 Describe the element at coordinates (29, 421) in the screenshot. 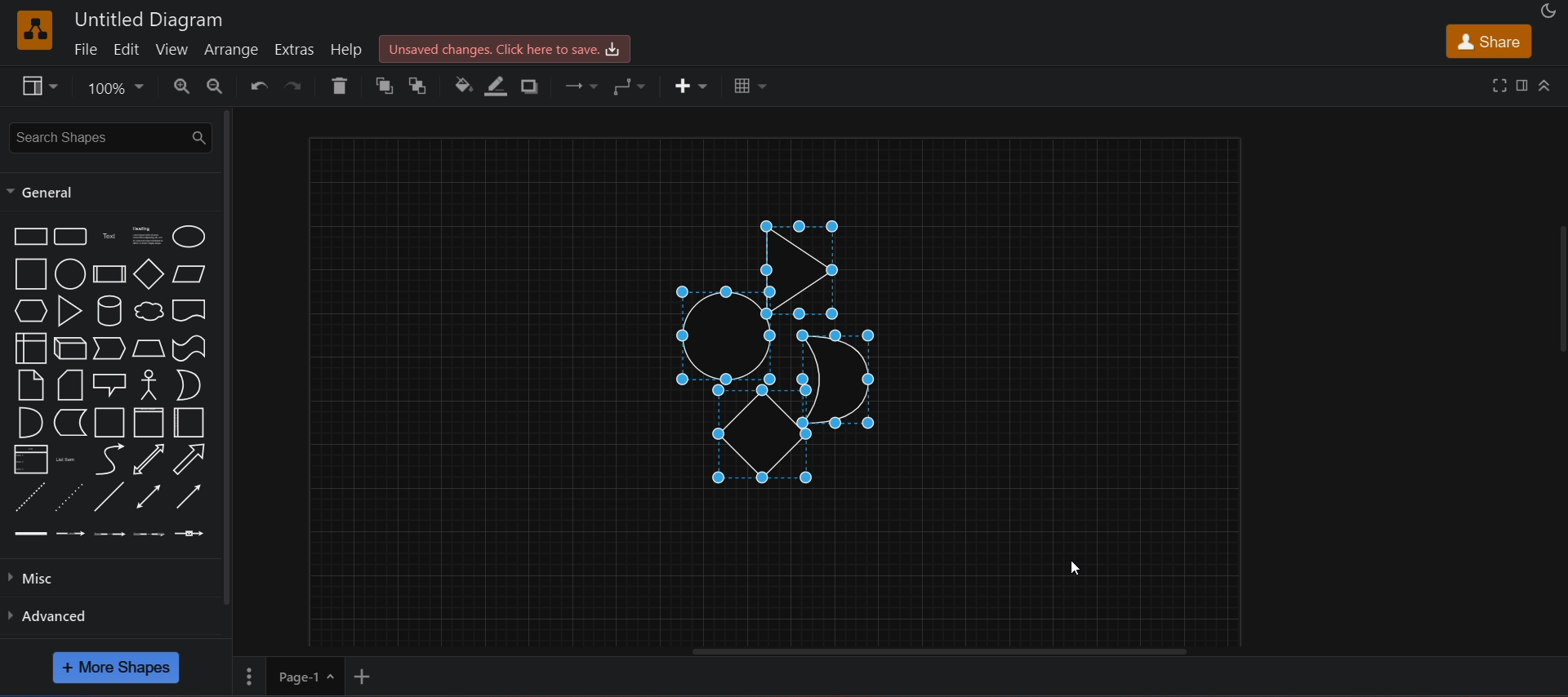

I see `and` at that location.